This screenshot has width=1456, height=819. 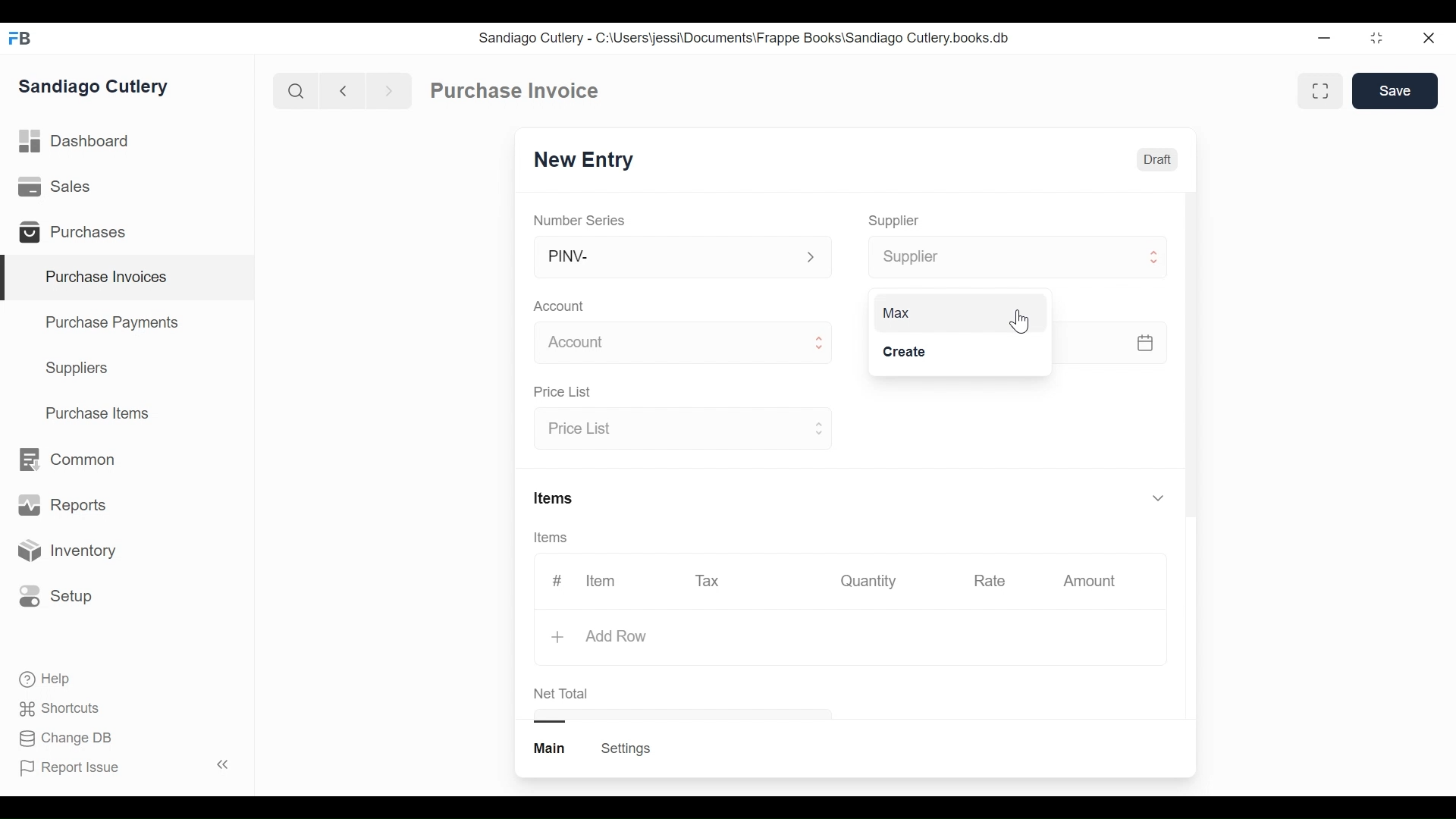 I want to click on Dashboard, so click(x=76, y=142).